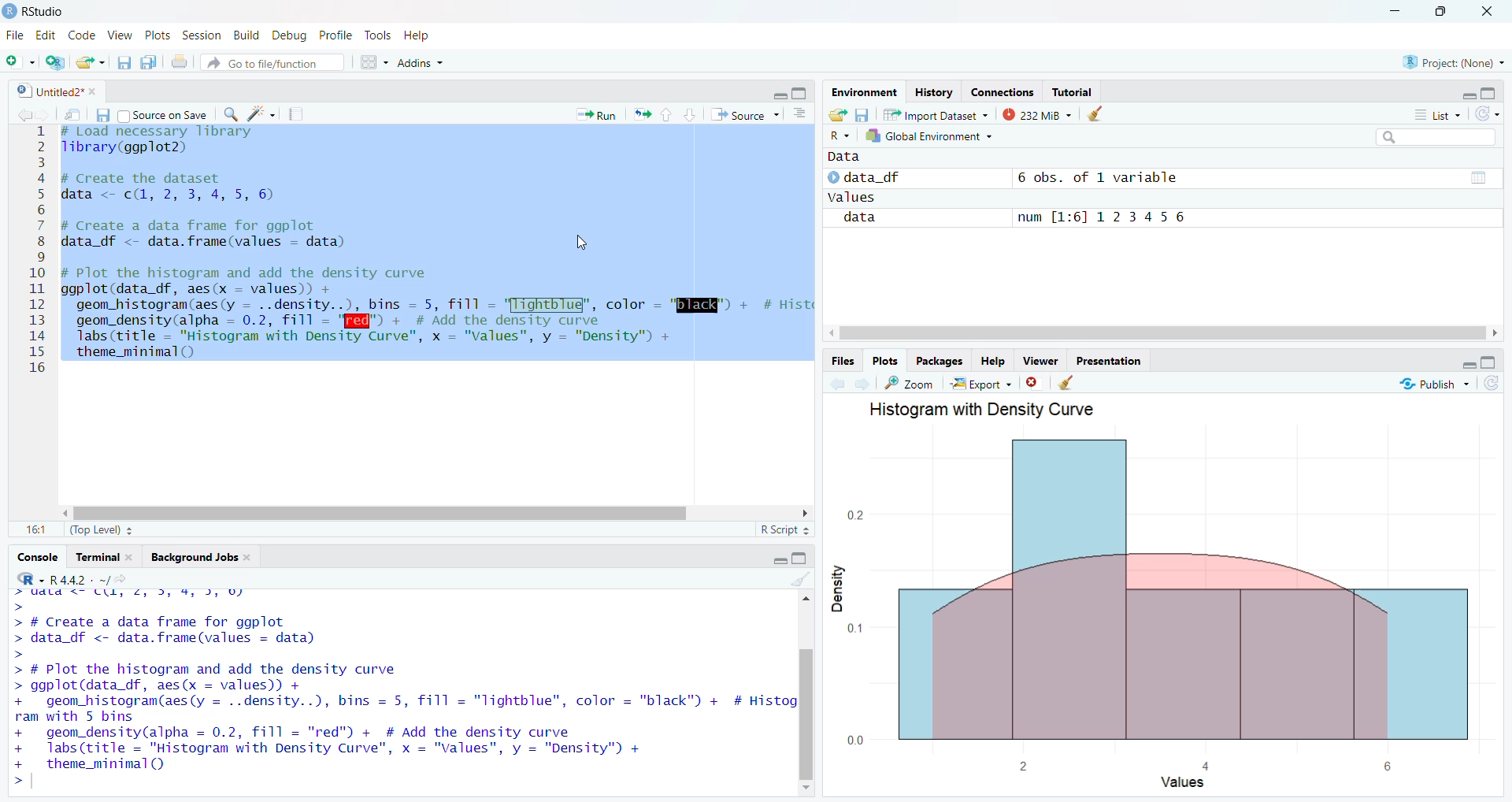  What do you see at coordinates (1431, 383) in the screenshot?
I see `publish the application or document` at bounding box center [1431, 383].